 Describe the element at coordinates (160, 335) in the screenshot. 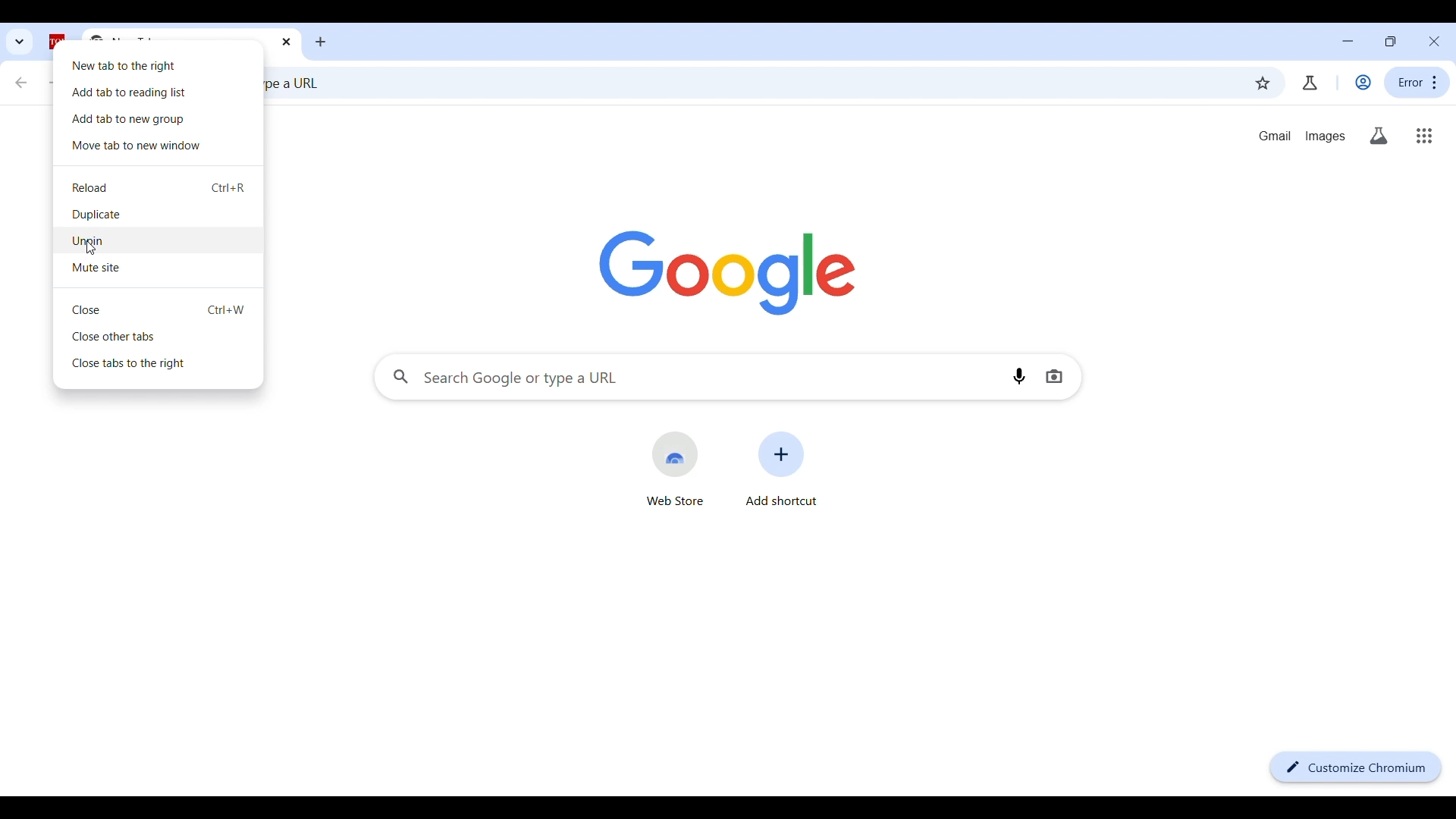

I see `Close other tabs` at that location.